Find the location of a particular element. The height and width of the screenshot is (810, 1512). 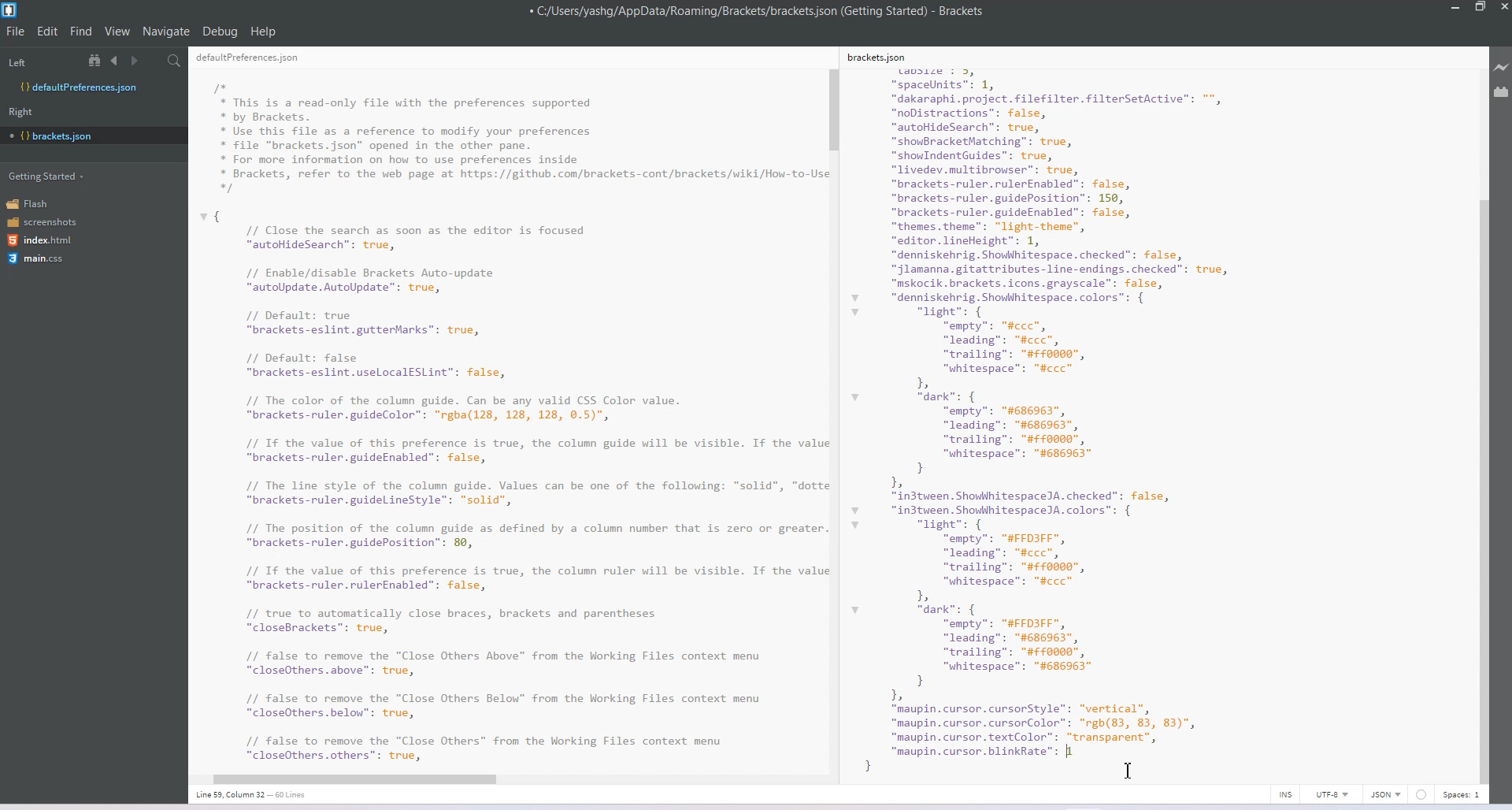

main.css is located at coordinates (35, 258).